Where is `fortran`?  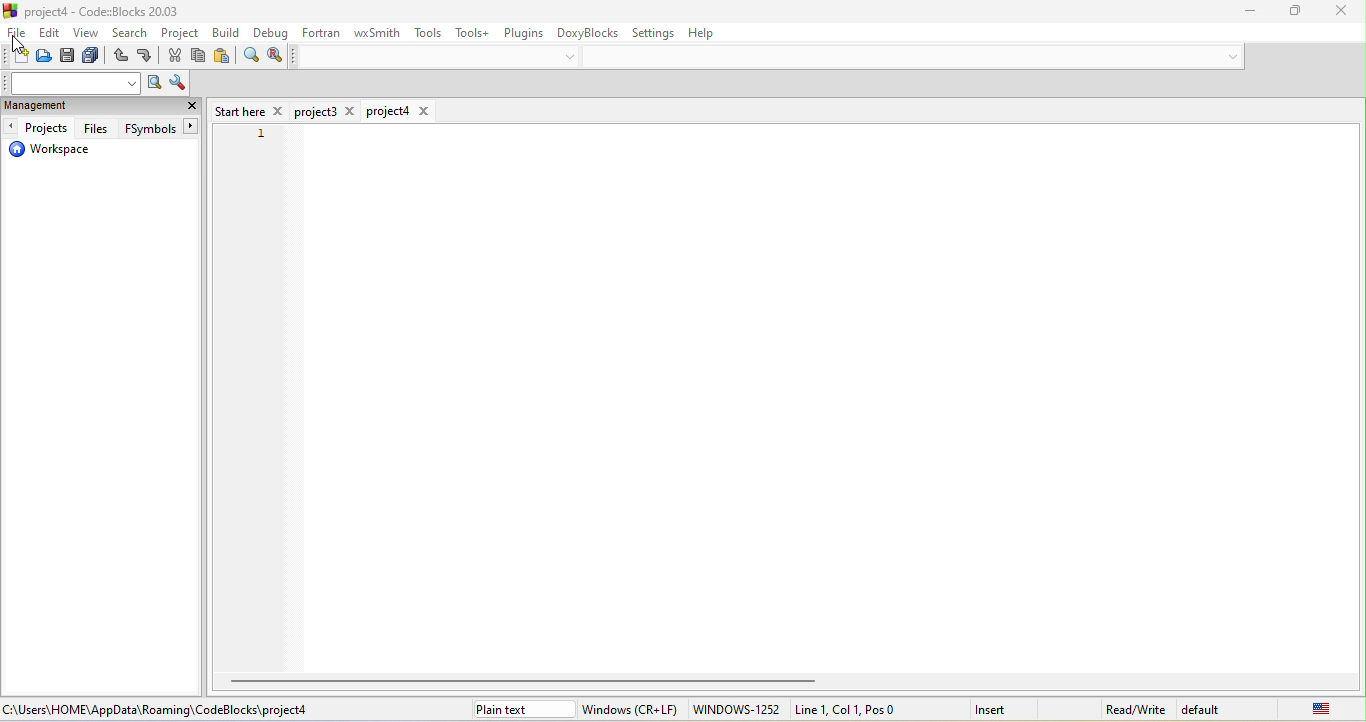 fortran is located at coordinates (322, 32).